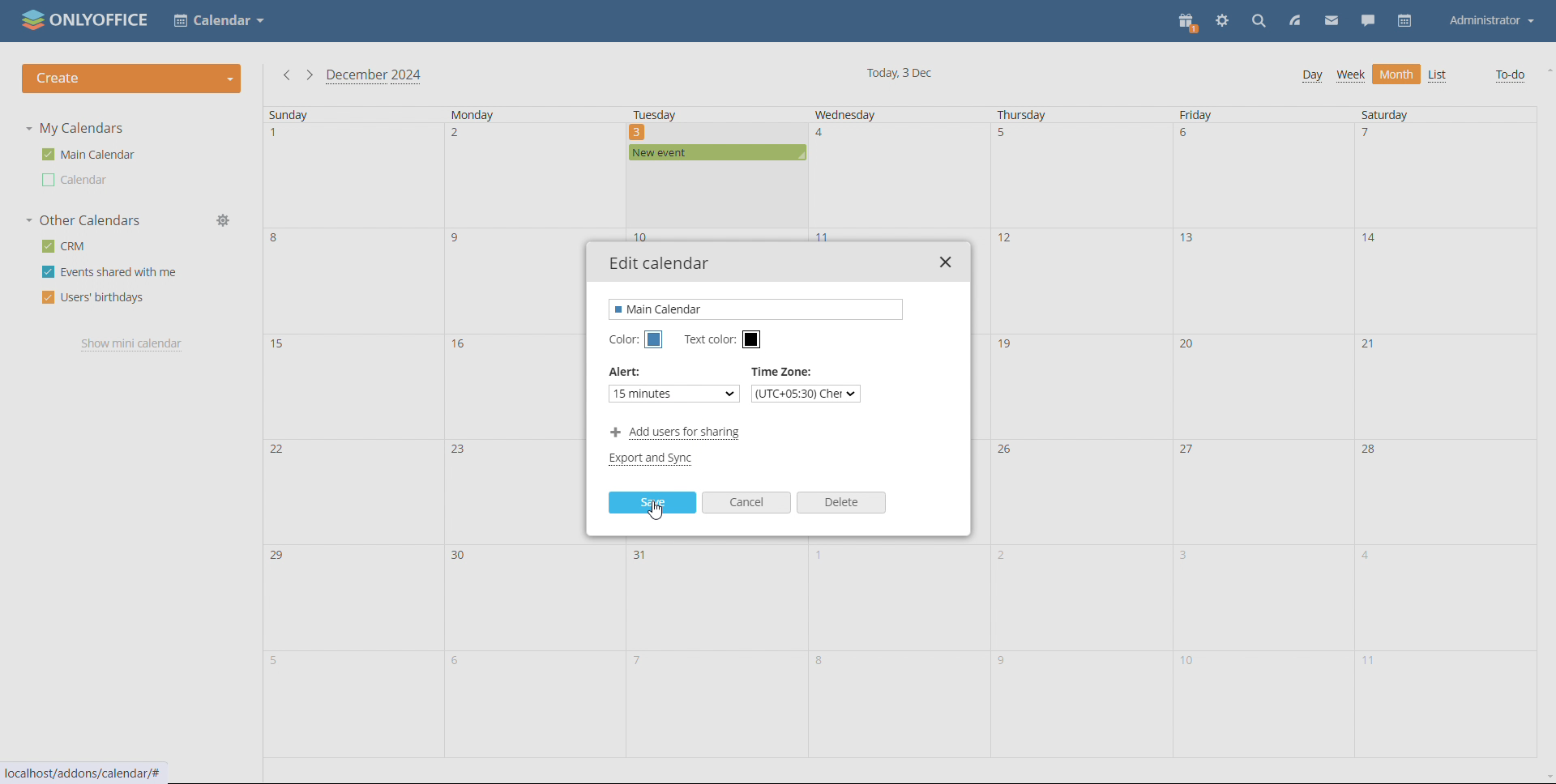 This screenshot has height=784, width=1556. Describe the element at coordinates (1446, 703) in the screenshot. I see `date` at that location.